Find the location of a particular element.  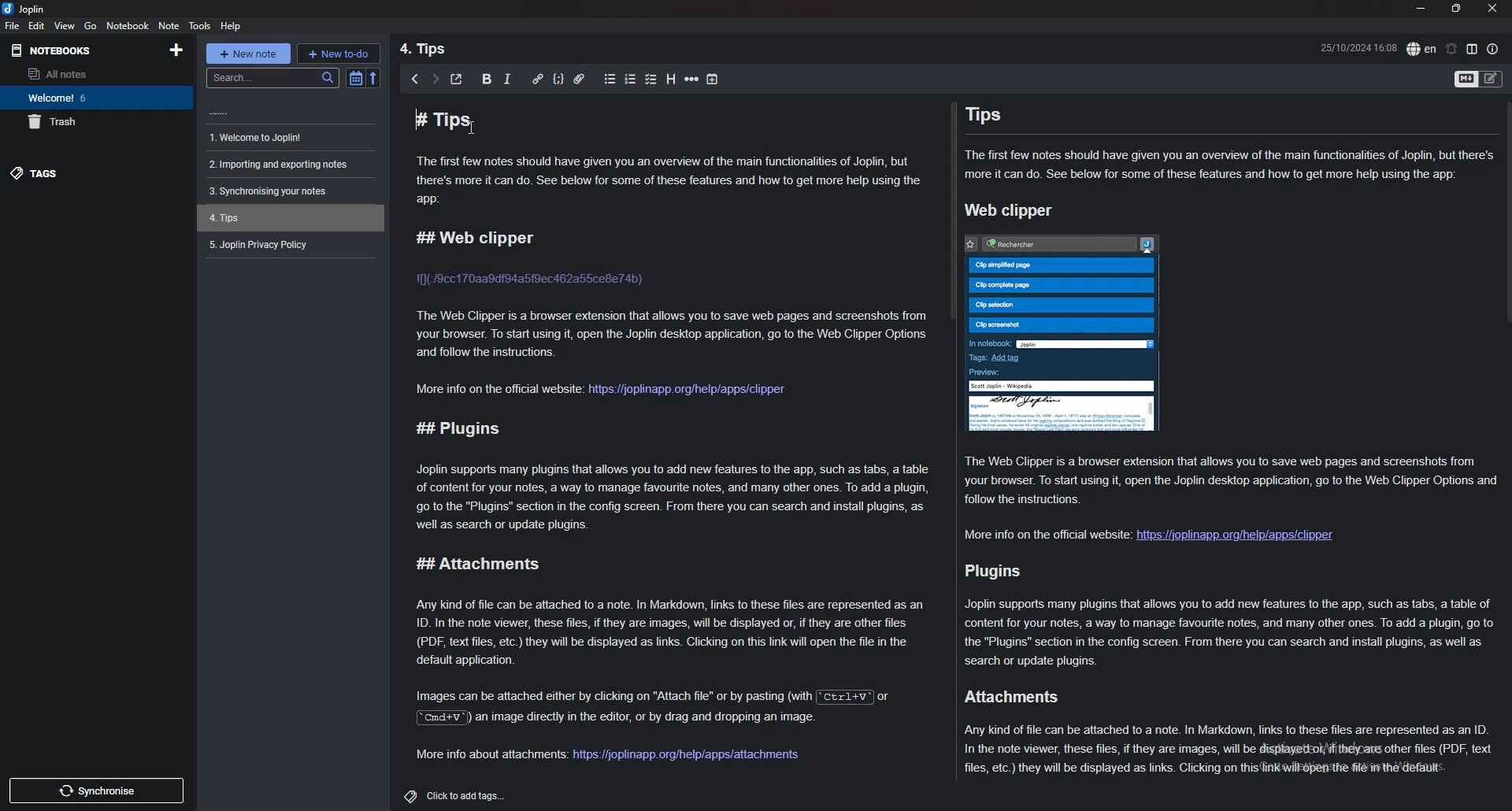

toggle editor layout is located at coordinates (1473, 49).